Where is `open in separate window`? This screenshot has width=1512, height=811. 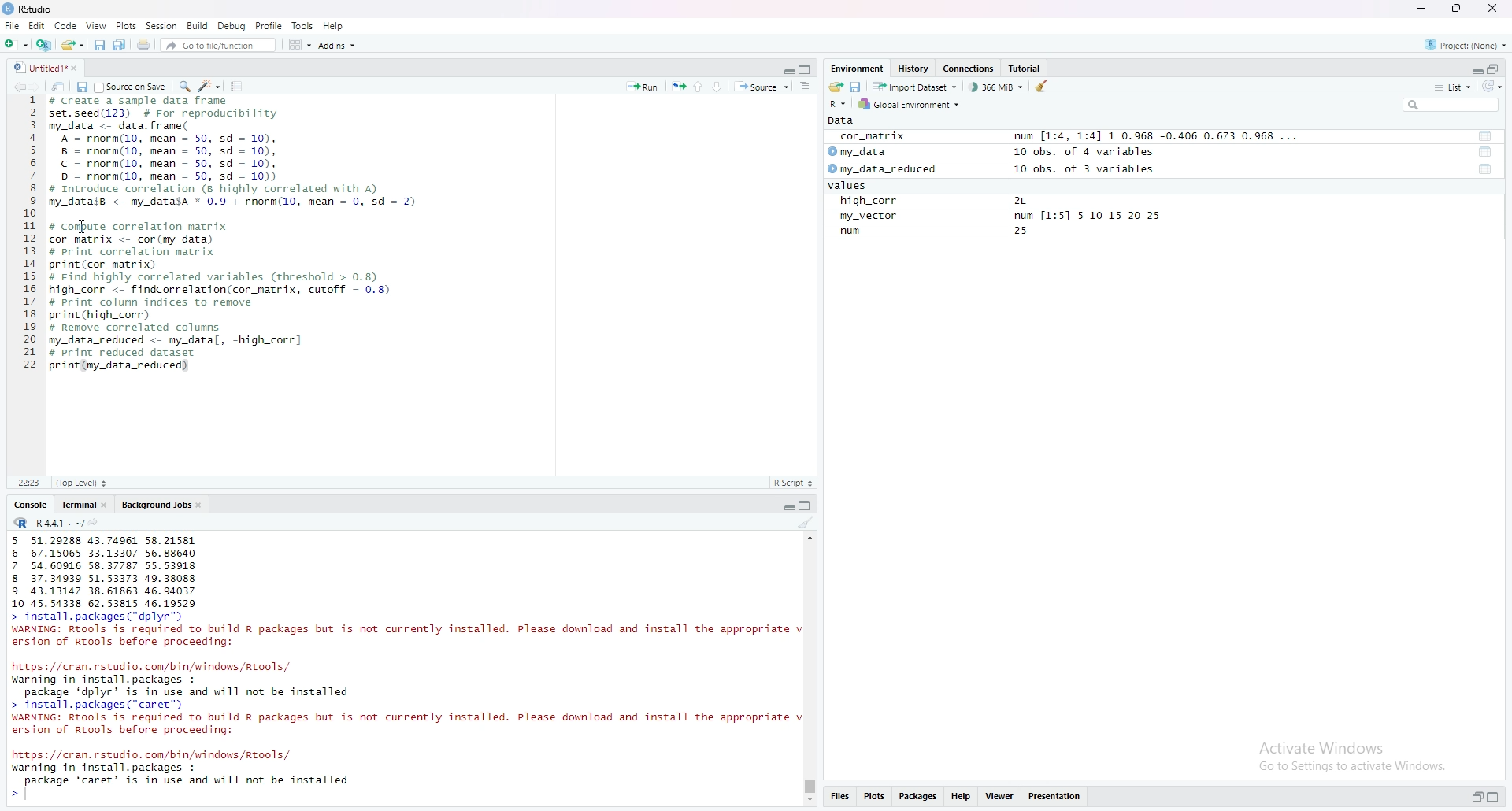
open in separate window is located at coordinates (1476, 797).